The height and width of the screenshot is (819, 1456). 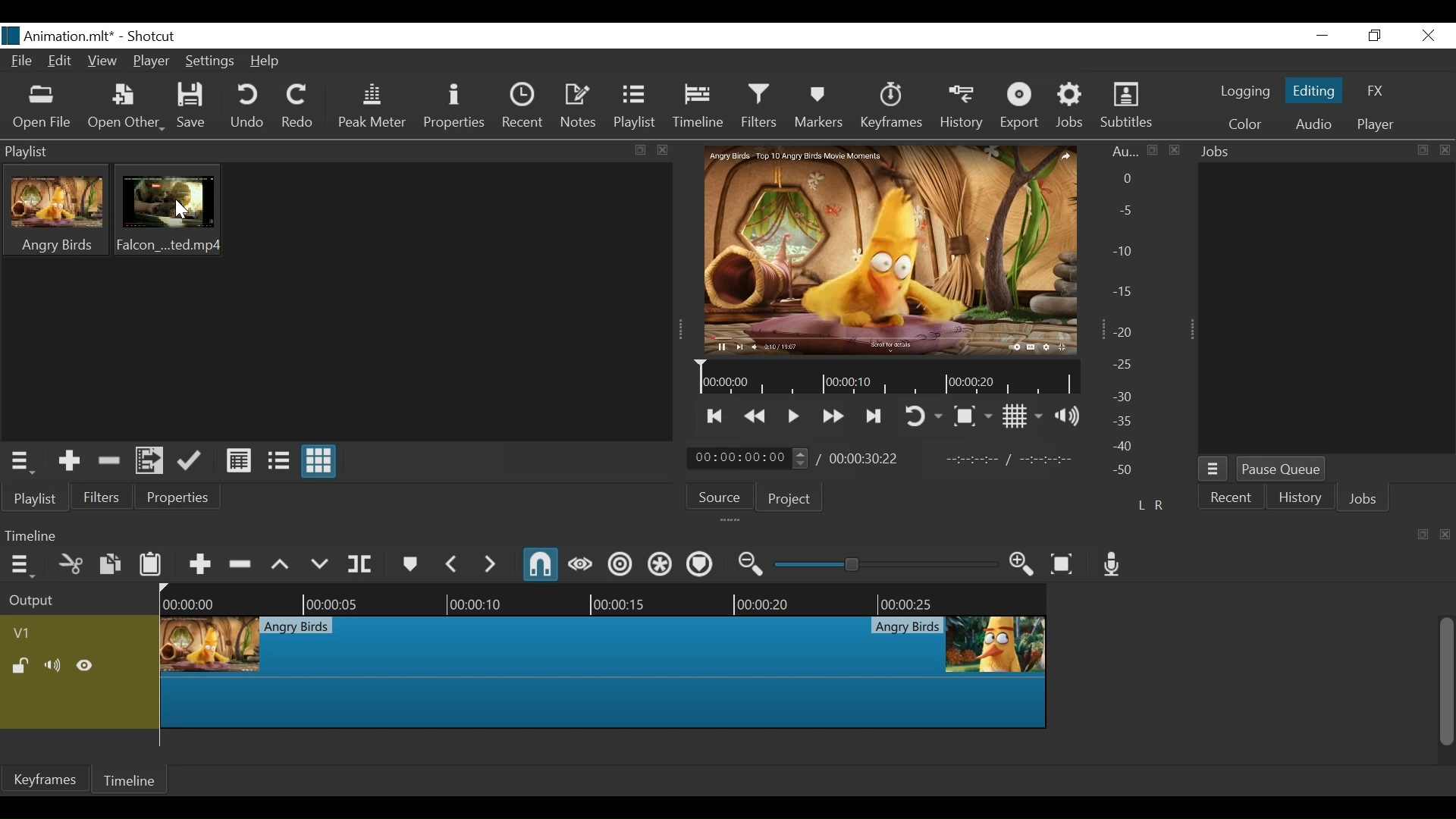 What do you see at coordinates (754, 417) in the screenshot?
I see `Play backward quickly` at bounding box center [754, 417].